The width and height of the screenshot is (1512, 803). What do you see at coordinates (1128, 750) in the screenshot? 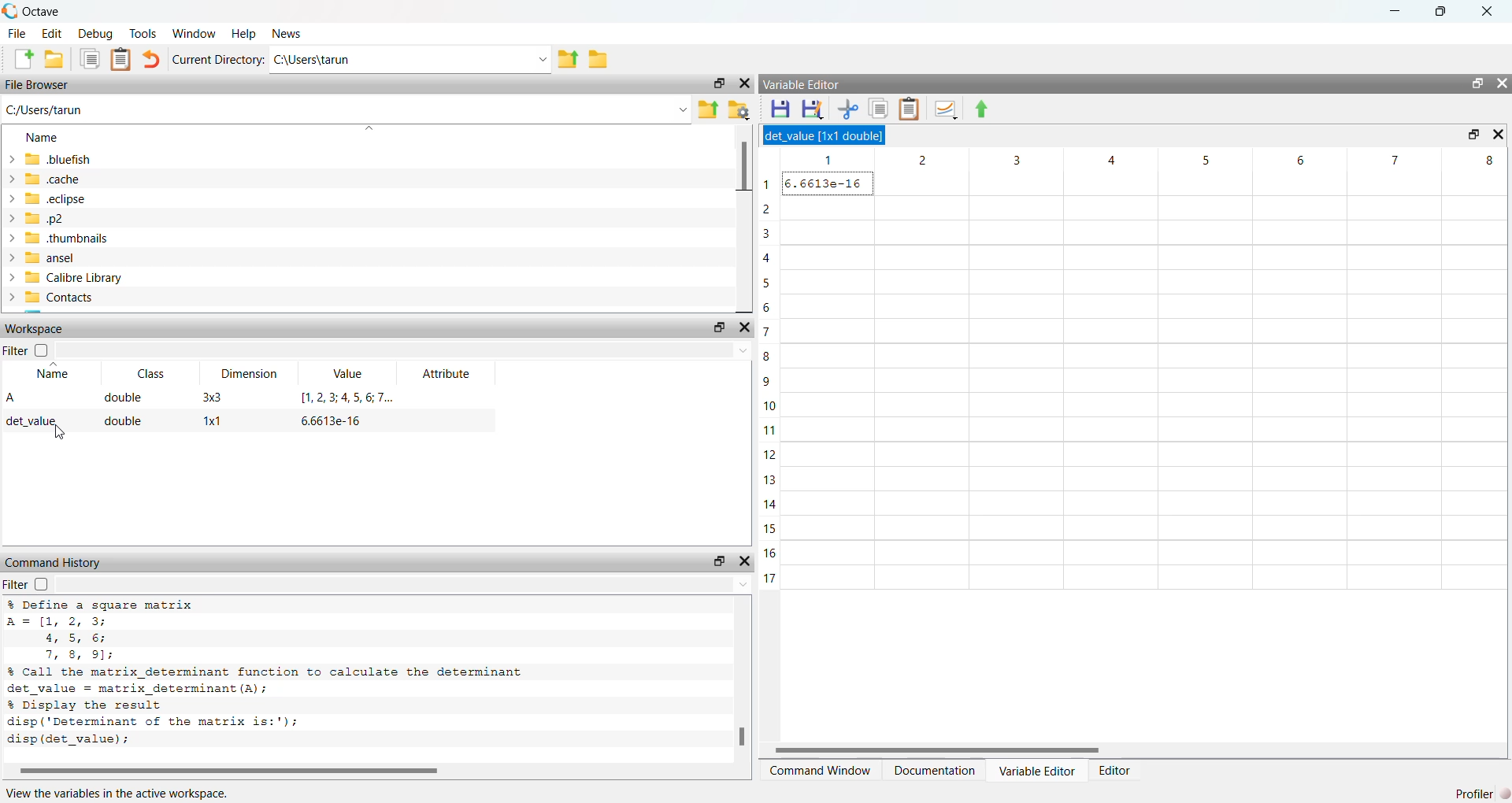
I see `scrollbar` at bounding box center [1128, 750].